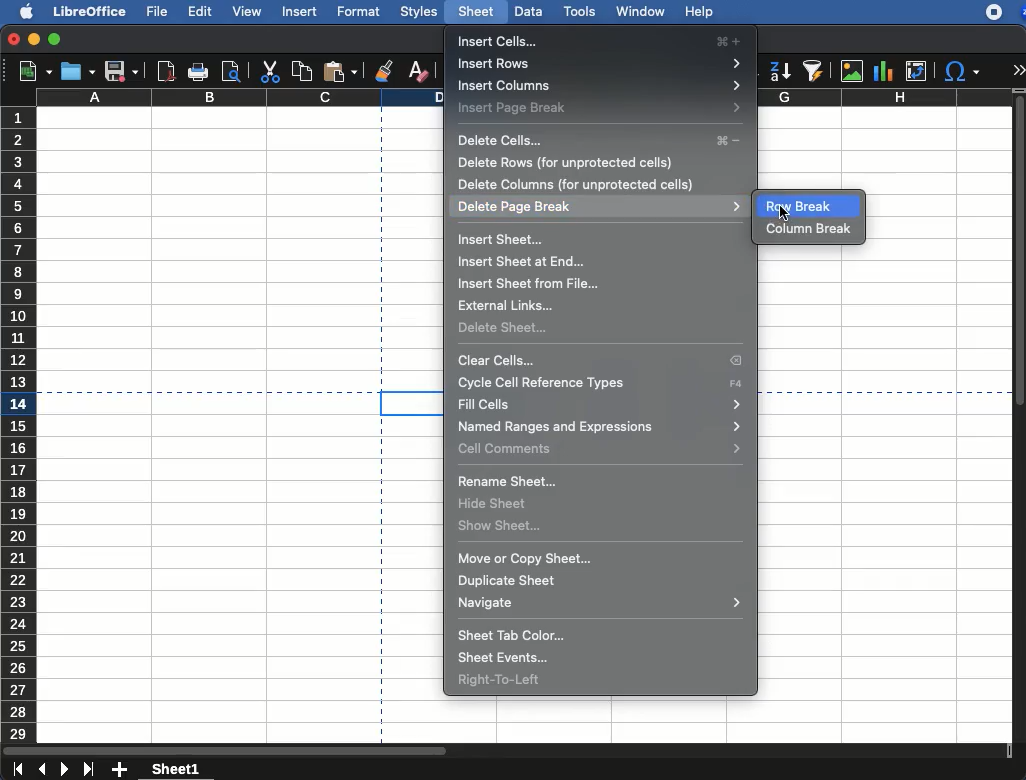 This screenshot has height=780, width=1026. Describe the element at coordinates (122, 770) in the screenshot. I see `add` at that location.